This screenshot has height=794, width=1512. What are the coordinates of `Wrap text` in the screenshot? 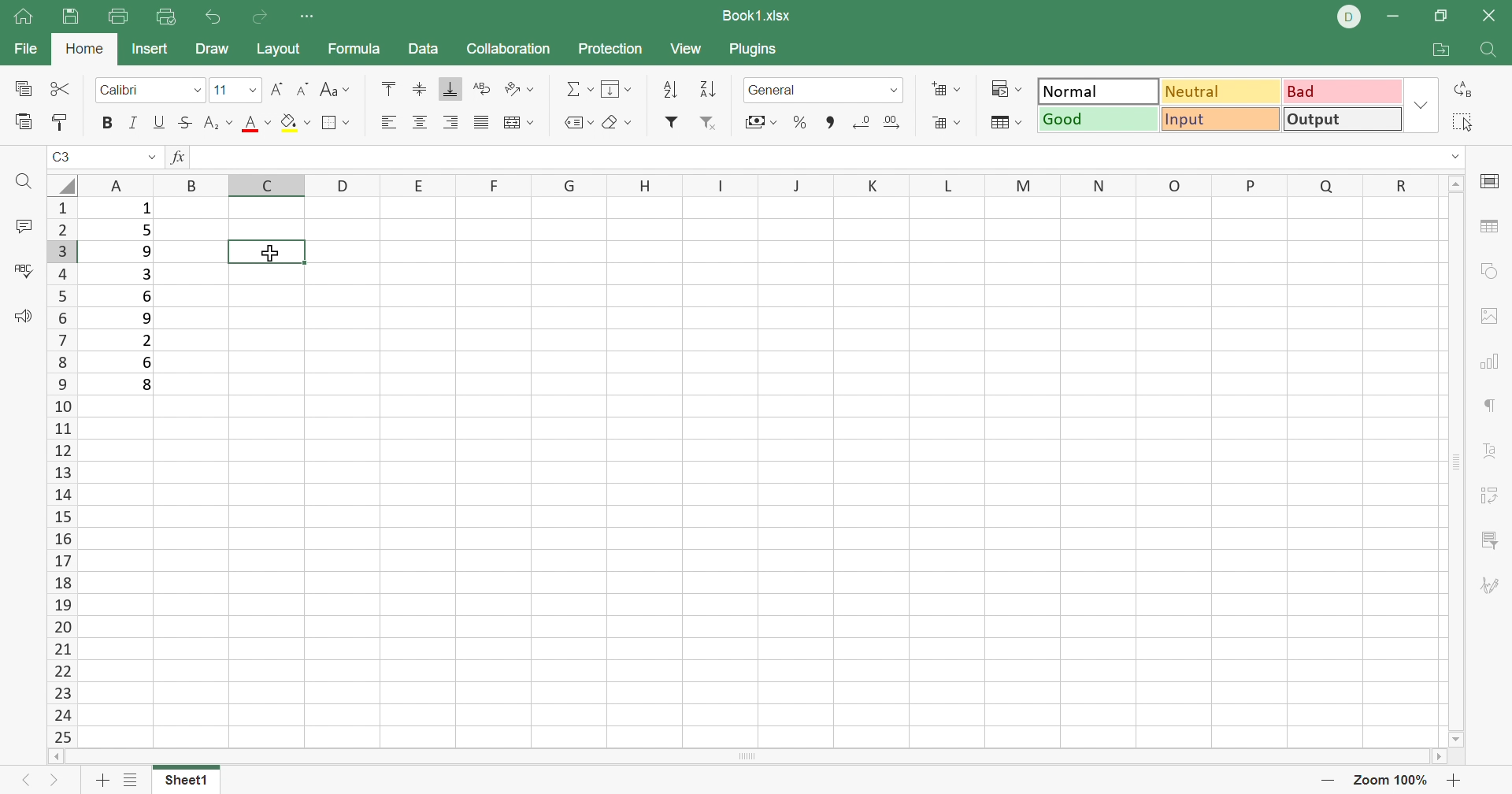 It's located at (480, 90).